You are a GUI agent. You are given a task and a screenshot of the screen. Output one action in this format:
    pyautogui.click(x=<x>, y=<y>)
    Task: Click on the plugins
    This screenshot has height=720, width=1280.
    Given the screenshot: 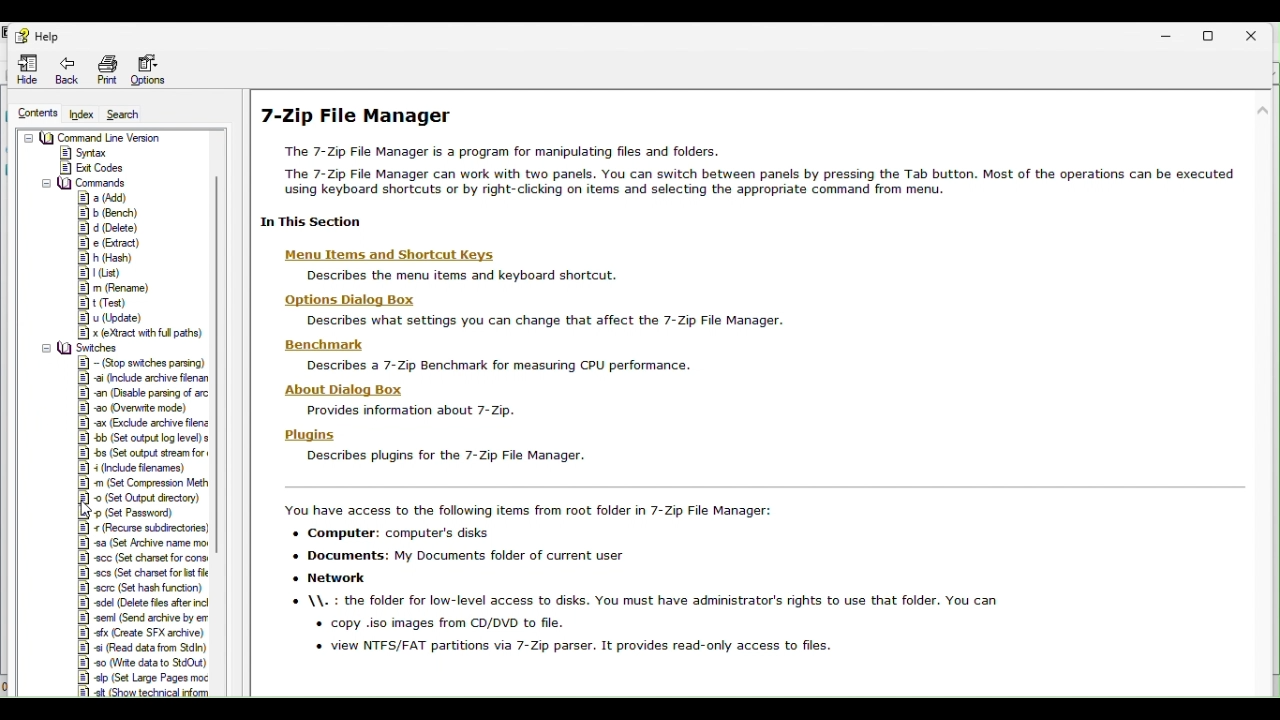 What is the action you would take?
    pyautogui.click(x=306, y=436)
    